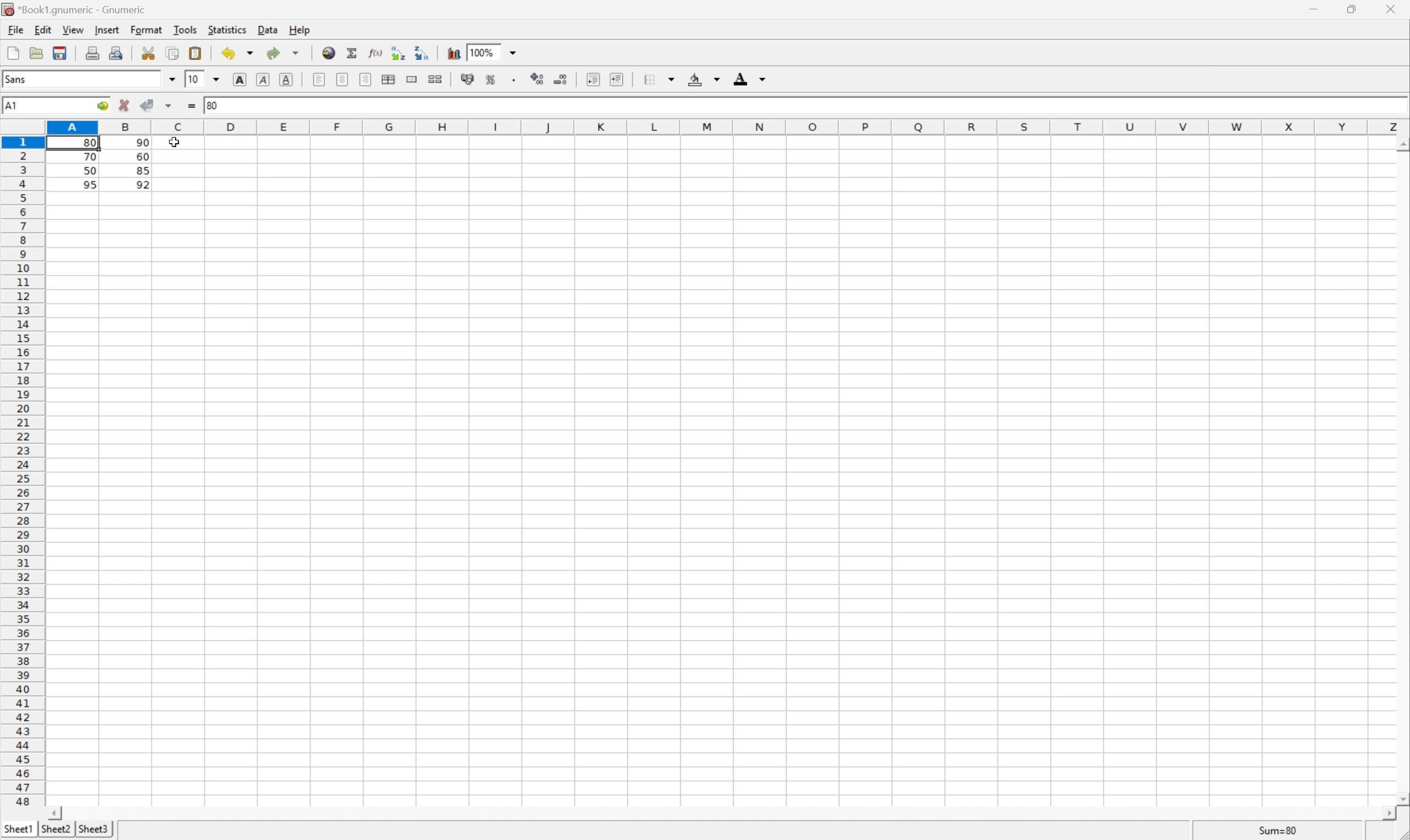  What do you see at coordinates (191, 106) in the screenshot?
I see `Enter formula` at bounding box center [191, 106].